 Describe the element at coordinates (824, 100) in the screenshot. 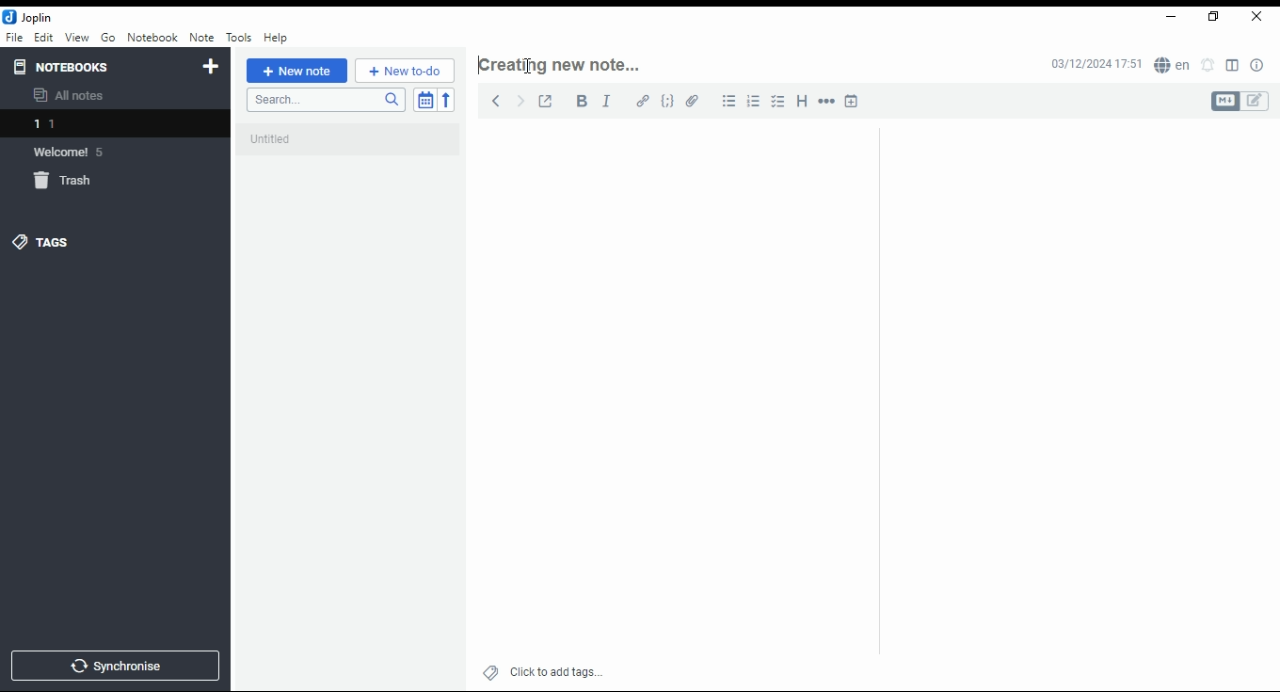

I see `horizontal rule` at that location.